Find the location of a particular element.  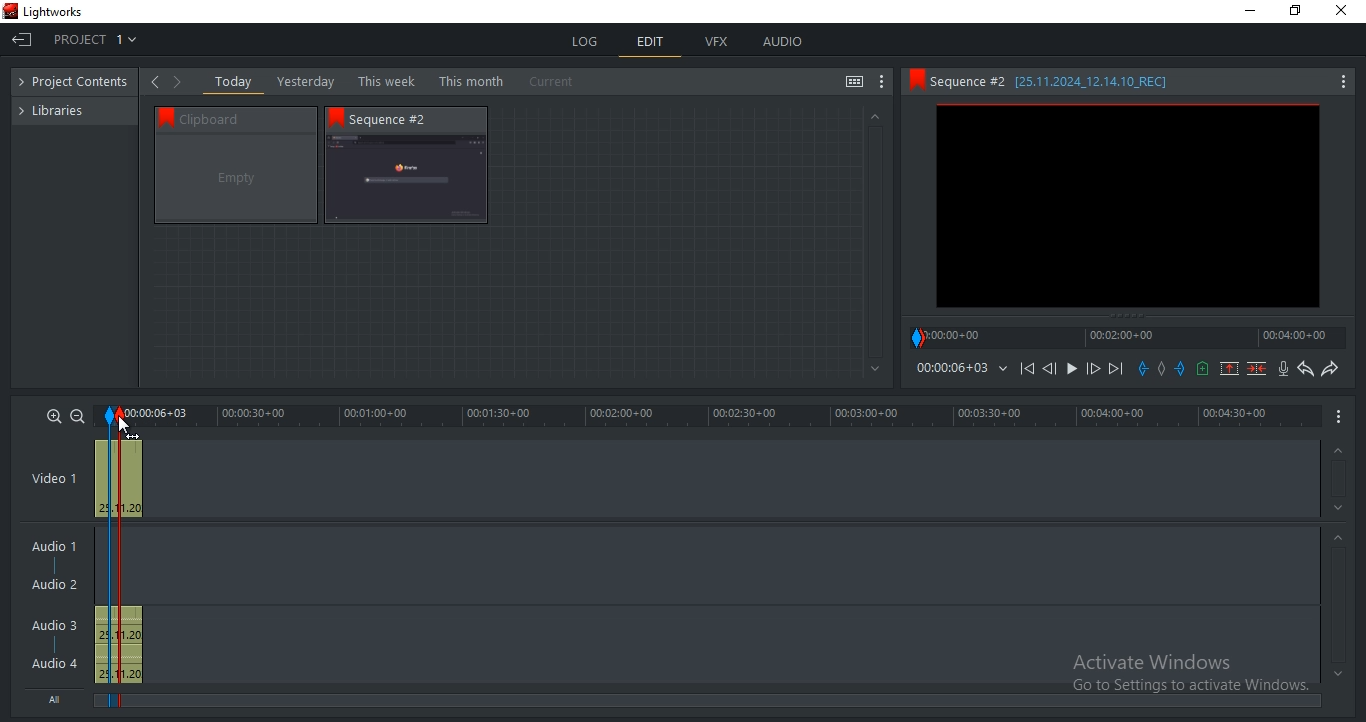

Nudge one frame back is located at coordinates (1053, 371).